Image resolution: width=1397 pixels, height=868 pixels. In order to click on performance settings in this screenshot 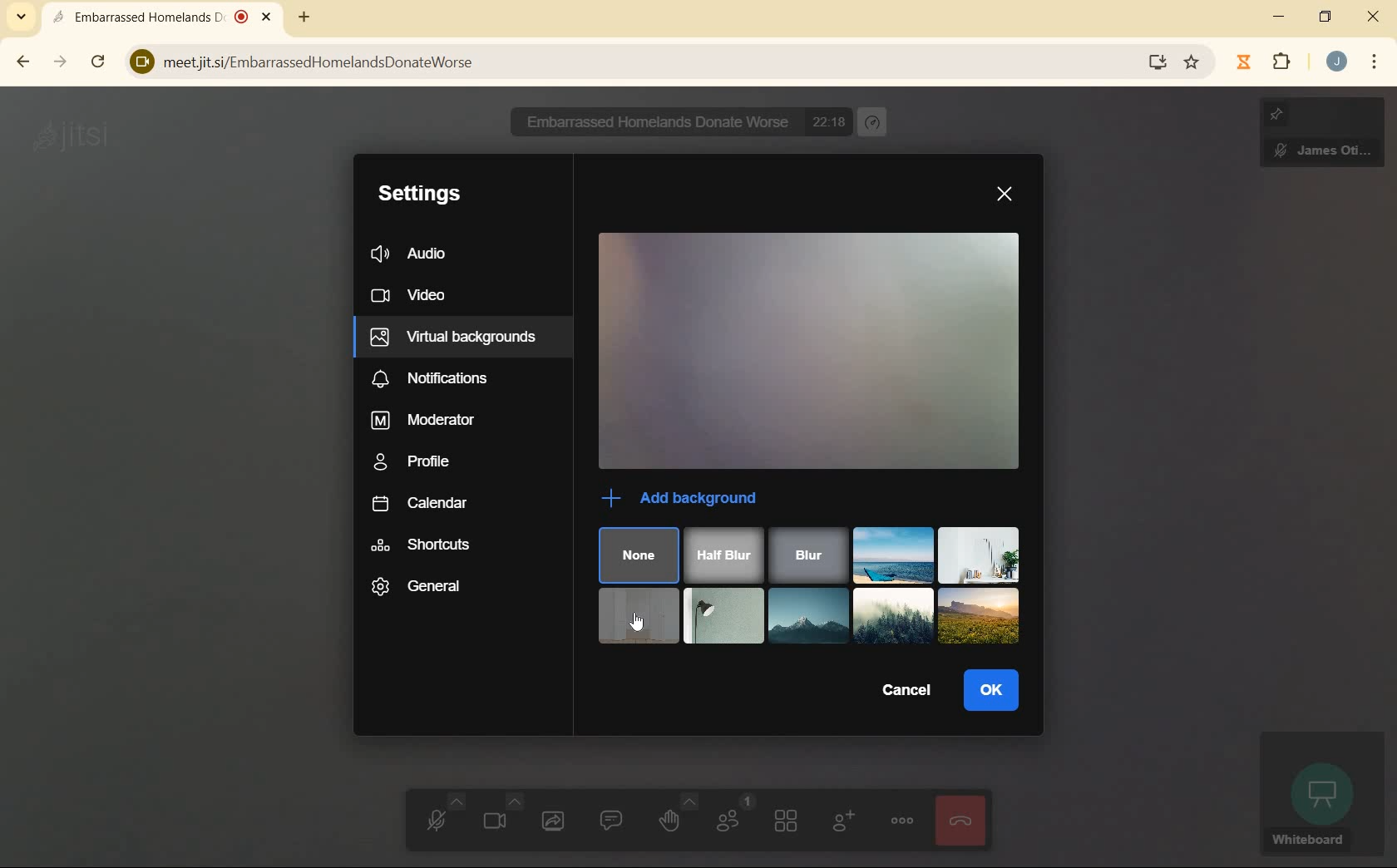, I will do `click(874, 121)`.